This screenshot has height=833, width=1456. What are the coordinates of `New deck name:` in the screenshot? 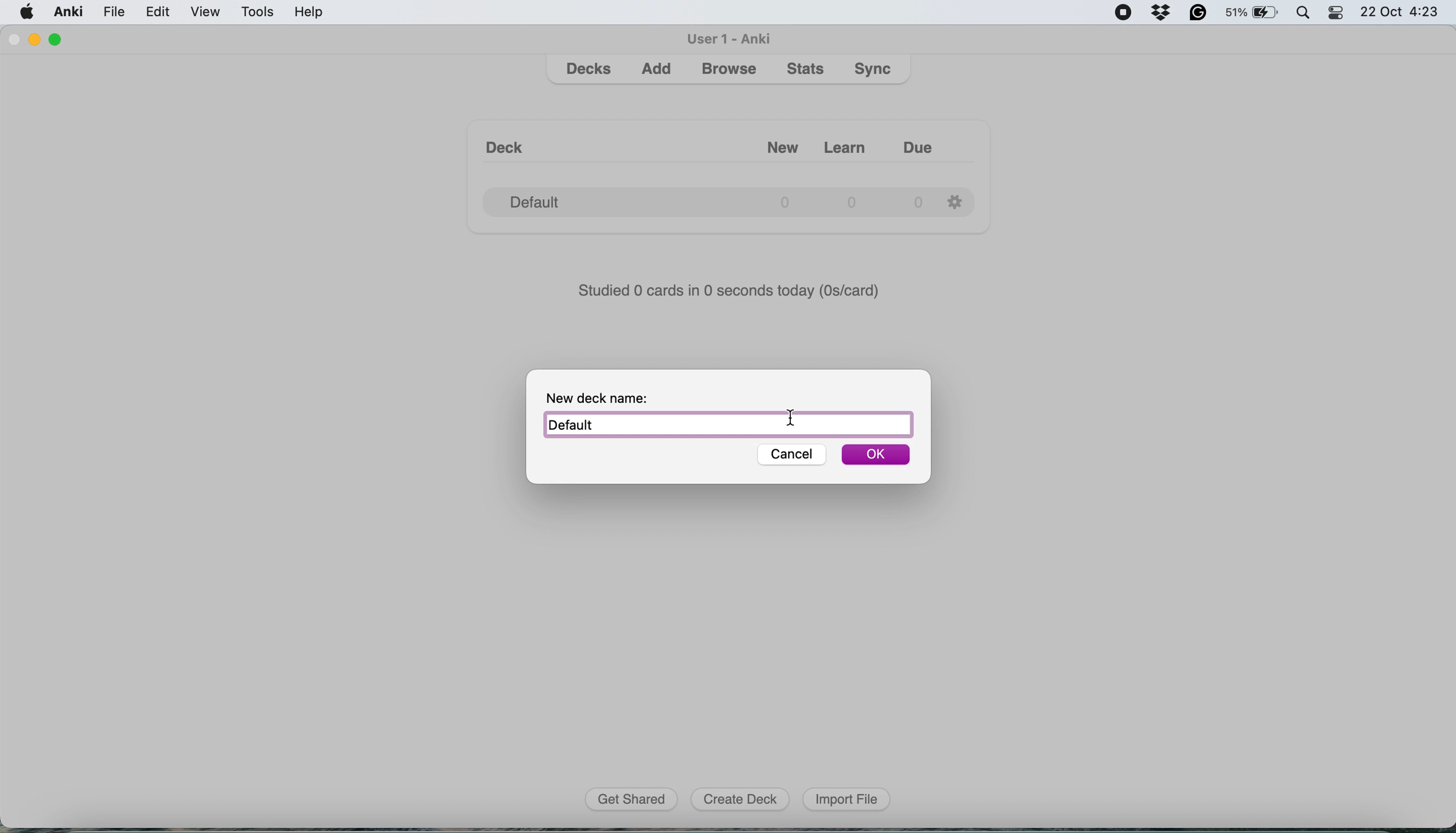 It's located at (609, 396).